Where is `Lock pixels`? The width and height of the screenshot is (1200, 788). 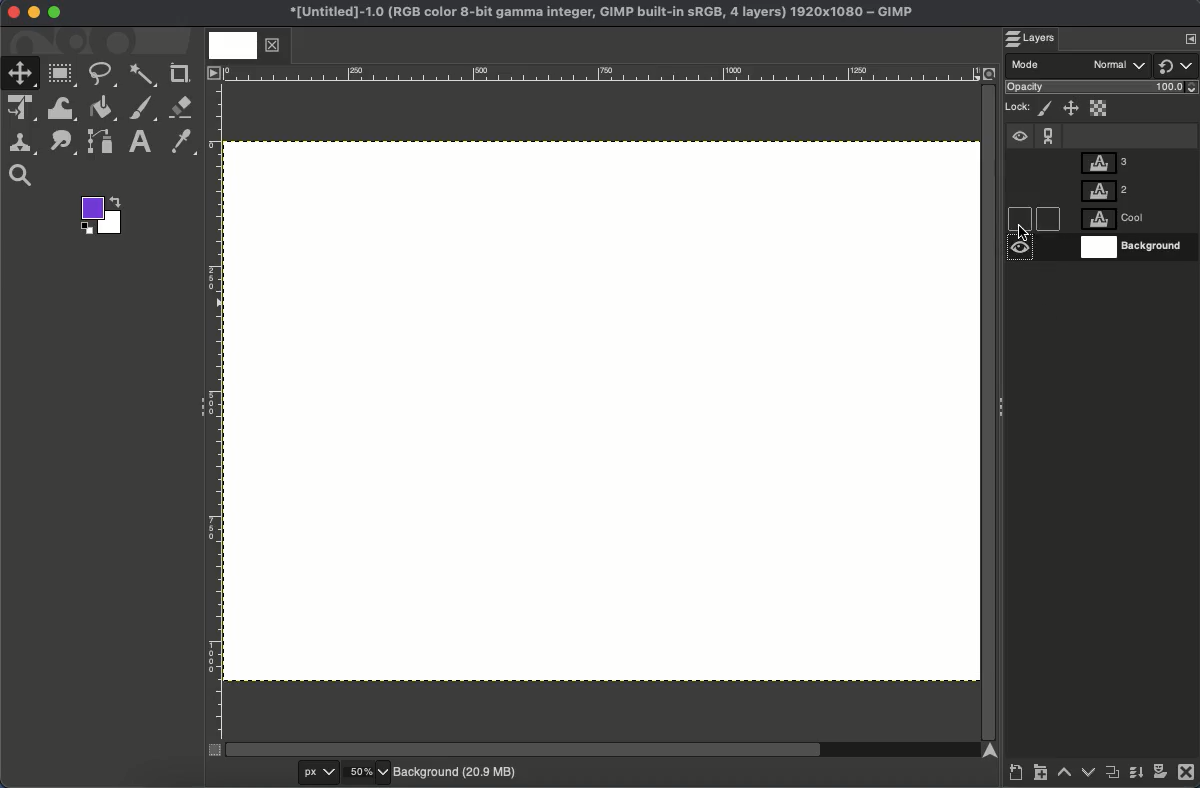
Lock pixels is located at coordinates (1047, 109).